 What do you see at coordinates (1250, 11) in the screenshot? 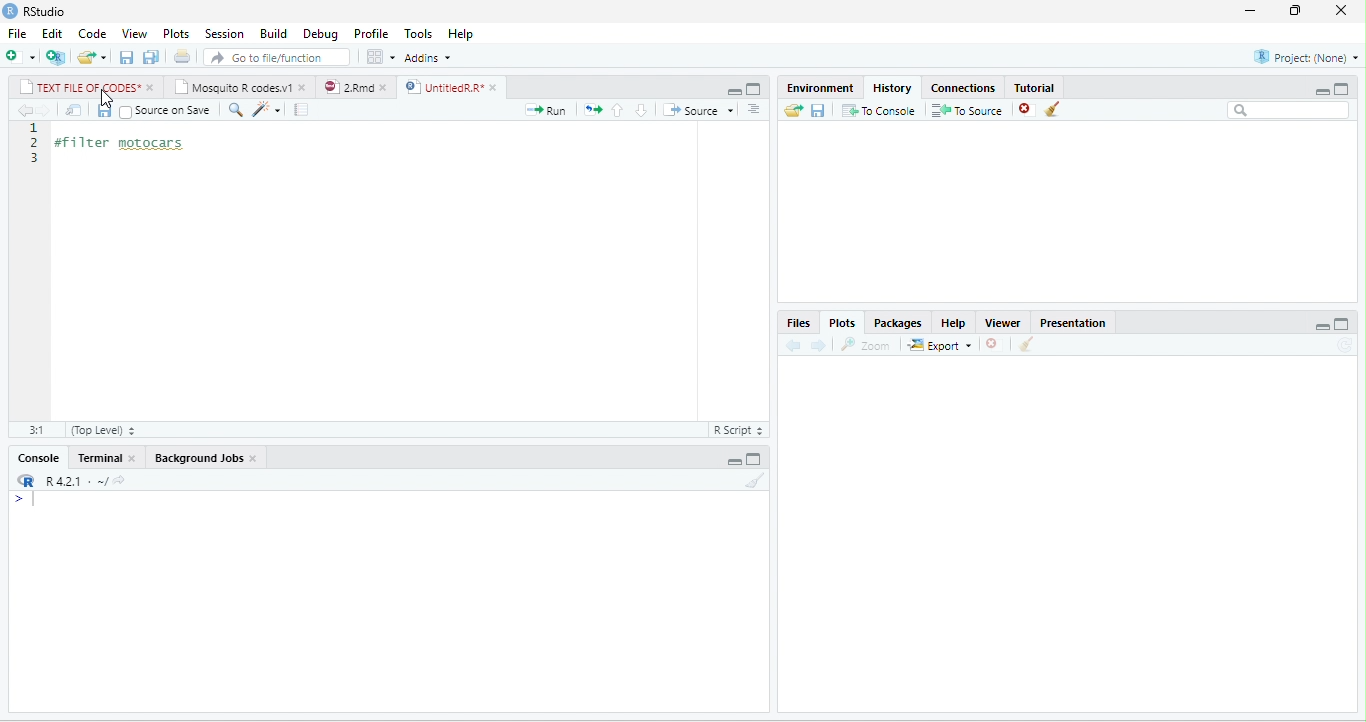
I see `minimize` at bounding box center [1250, 11].